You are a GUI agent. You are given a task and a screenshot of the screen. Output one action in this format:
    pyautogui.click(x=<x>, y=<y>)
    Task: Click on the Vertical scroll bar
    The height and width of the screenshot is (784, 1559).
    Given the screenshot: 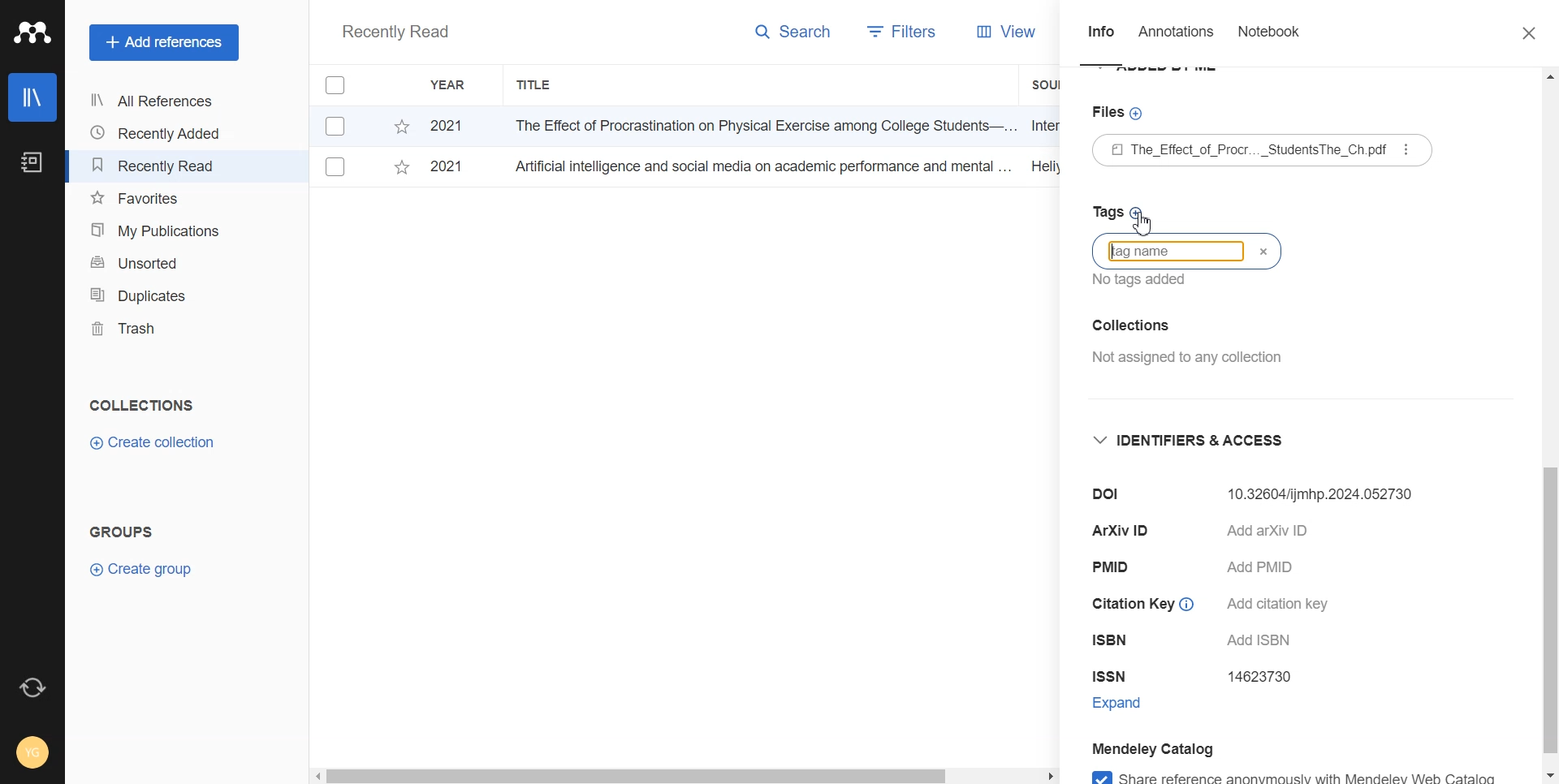 What is the action you would take?
    pyautogui.click(x=1549, y=426)
    